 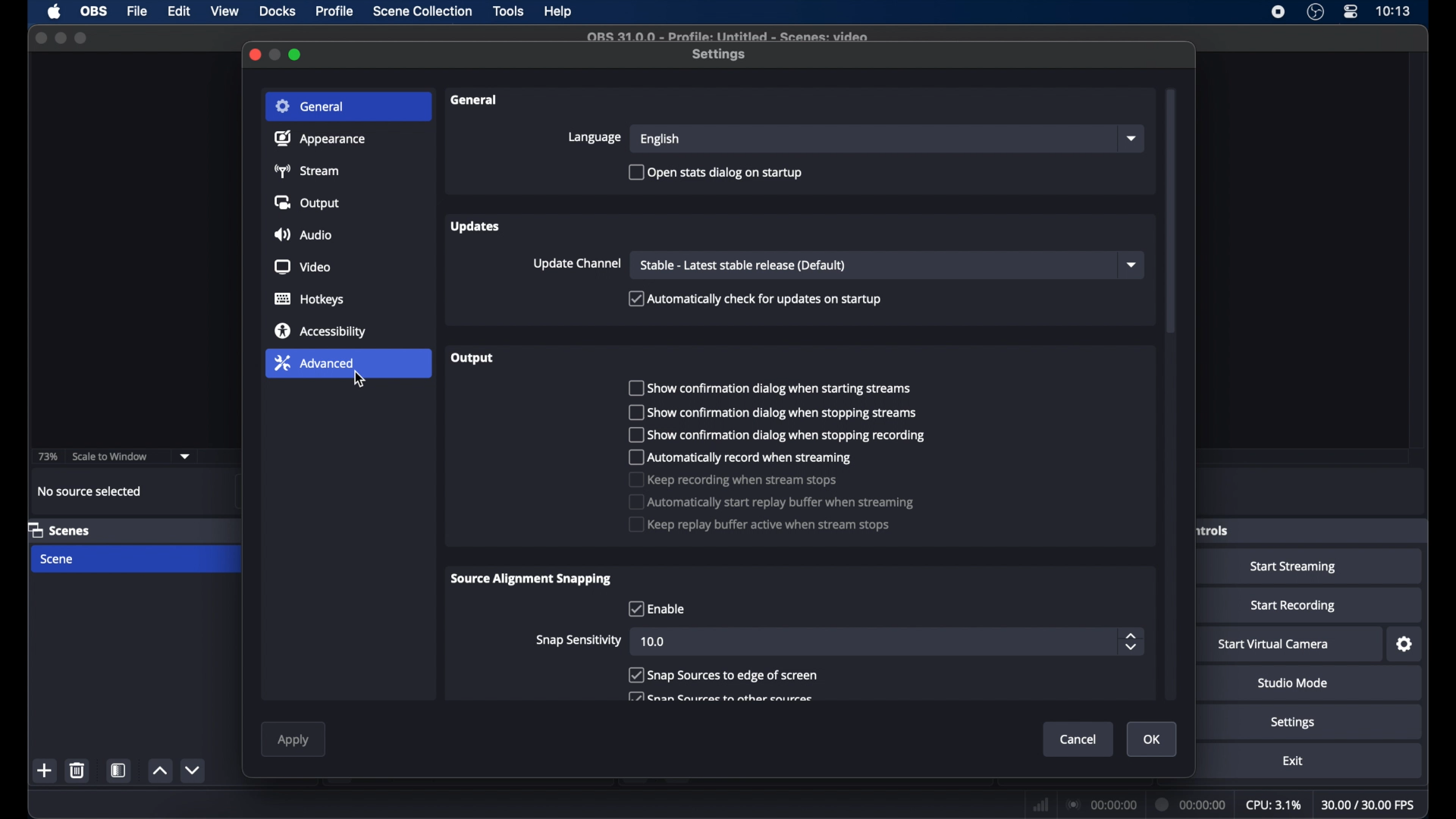 What do you see at coordinates (655, 643) in the screenshot?
I see `10.0` at bounding box center [655, 643].